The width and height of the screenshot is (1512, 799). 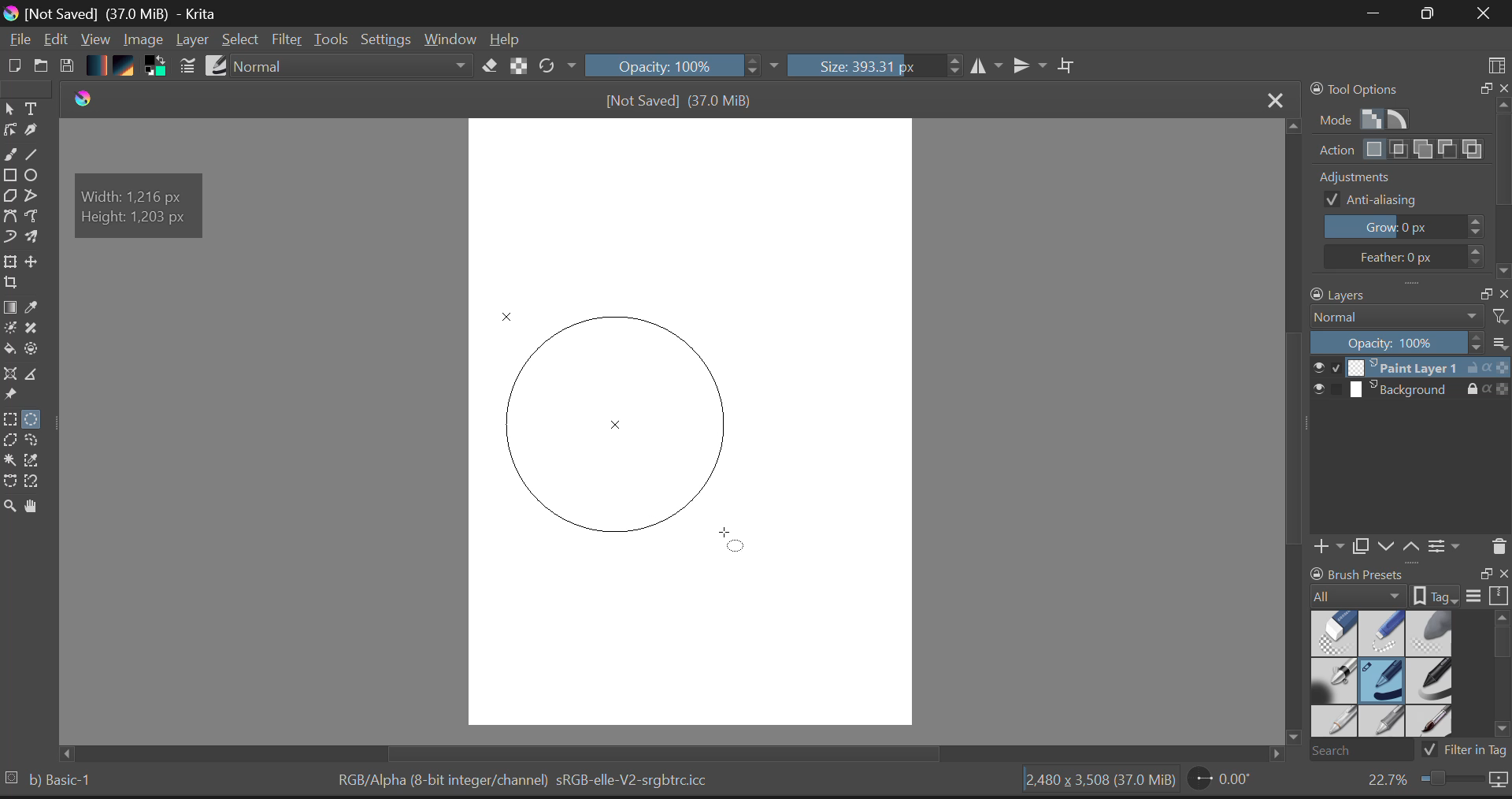 I want to click on Restore Down, so click(x=1371, y=14).